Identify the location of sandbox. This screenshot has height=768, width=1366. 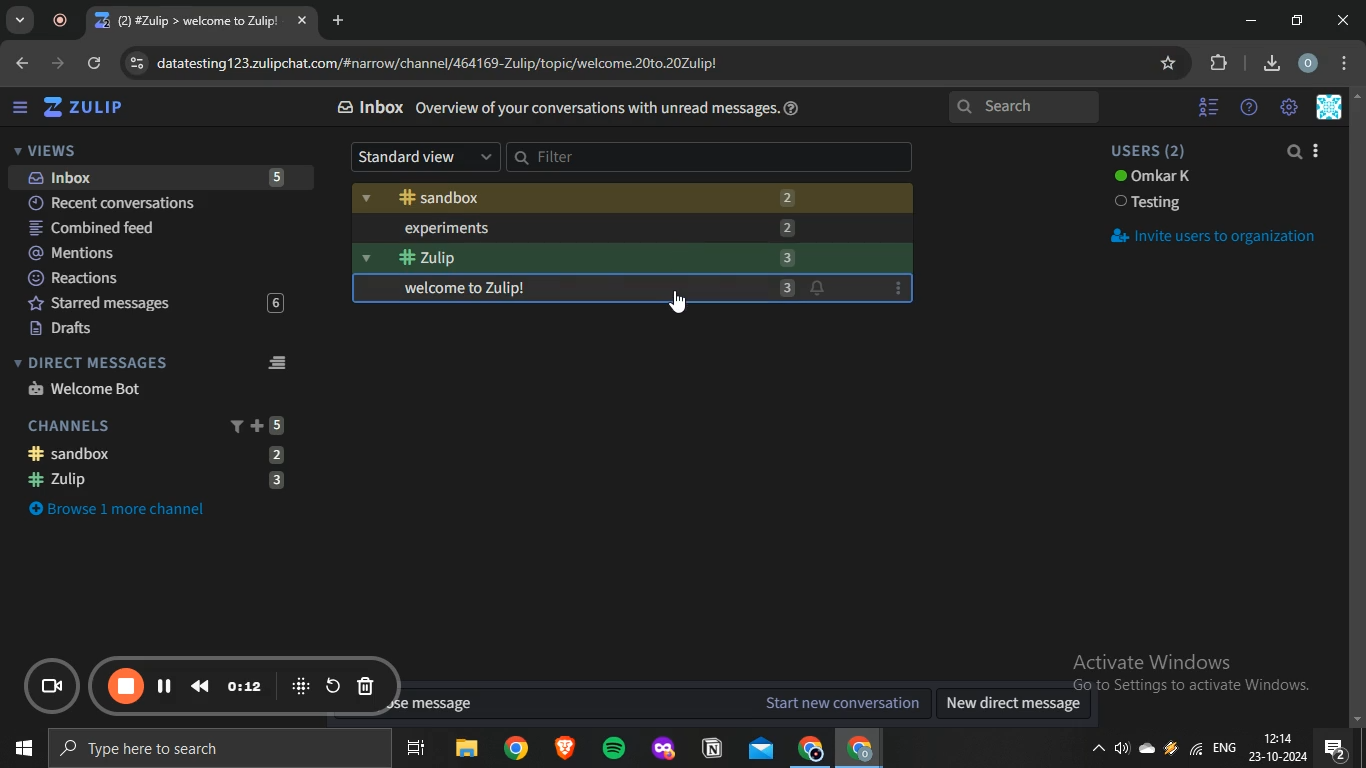
(631, 199).